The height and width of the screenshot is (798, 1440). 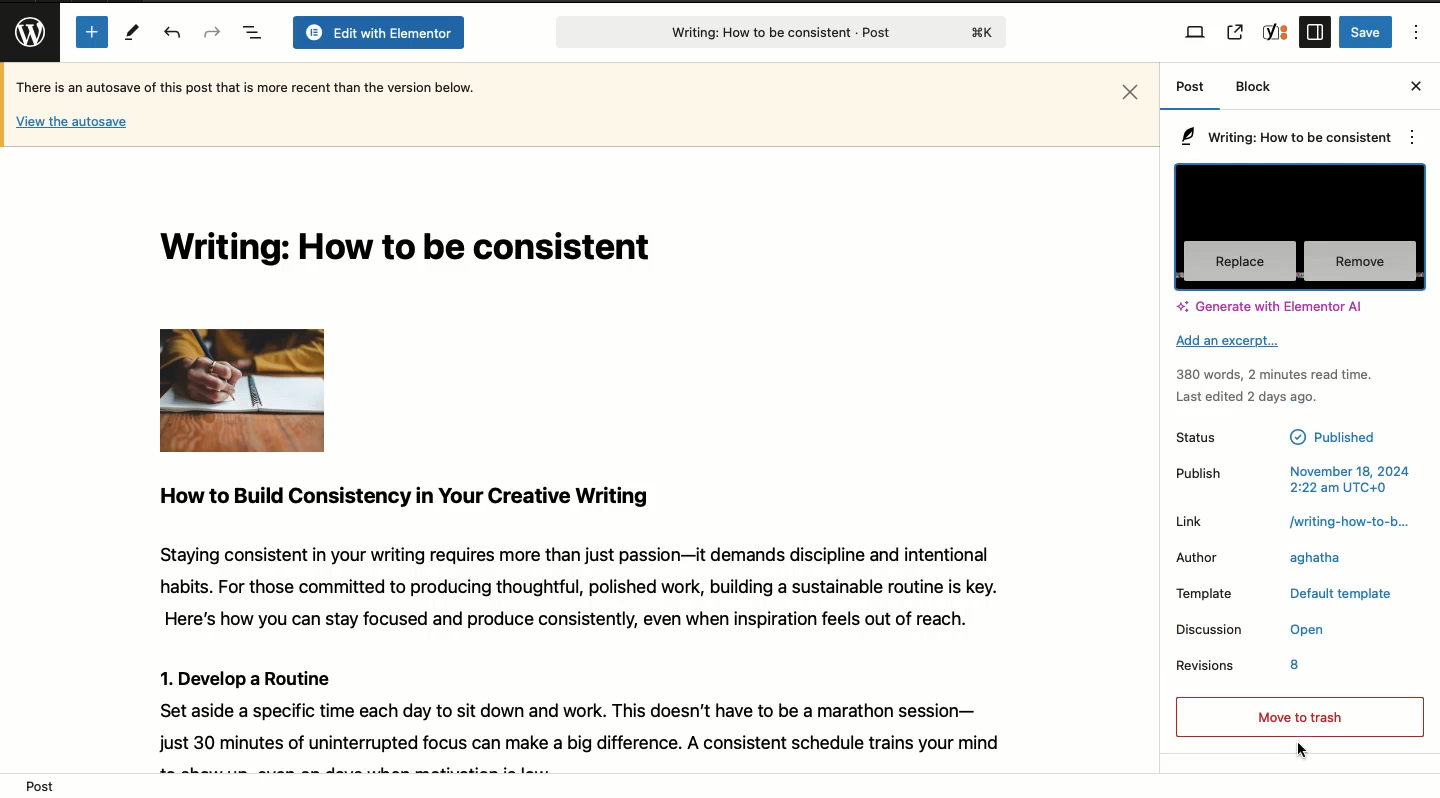 What do you see at coordinates (1286, 137) in the screenshot?
I see `Title` at bounding box center [1286, 137].